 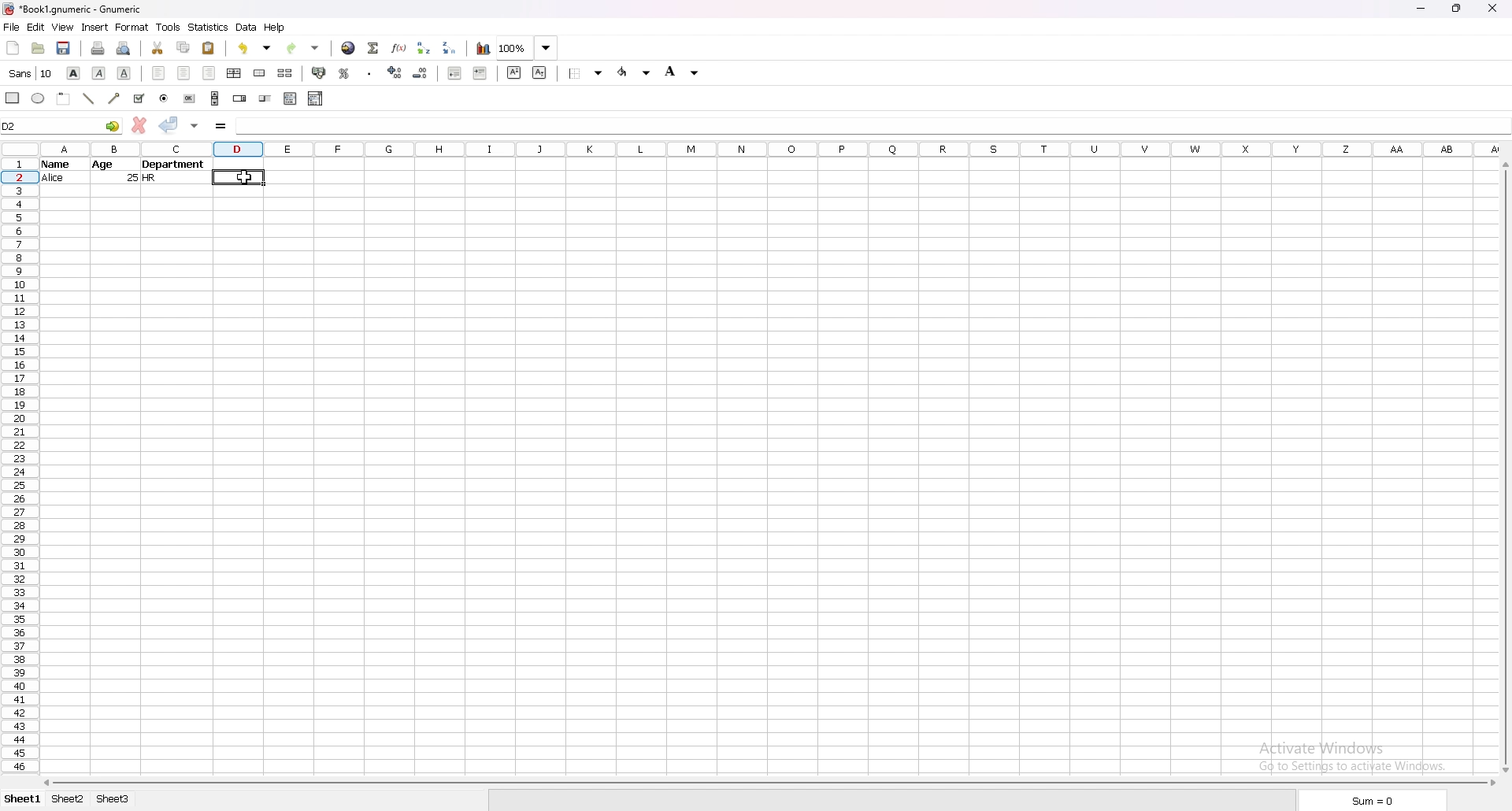 What do you see at coordinates (89, 98) in the screenshot?
I see `line` at bounding box center [89, 98].